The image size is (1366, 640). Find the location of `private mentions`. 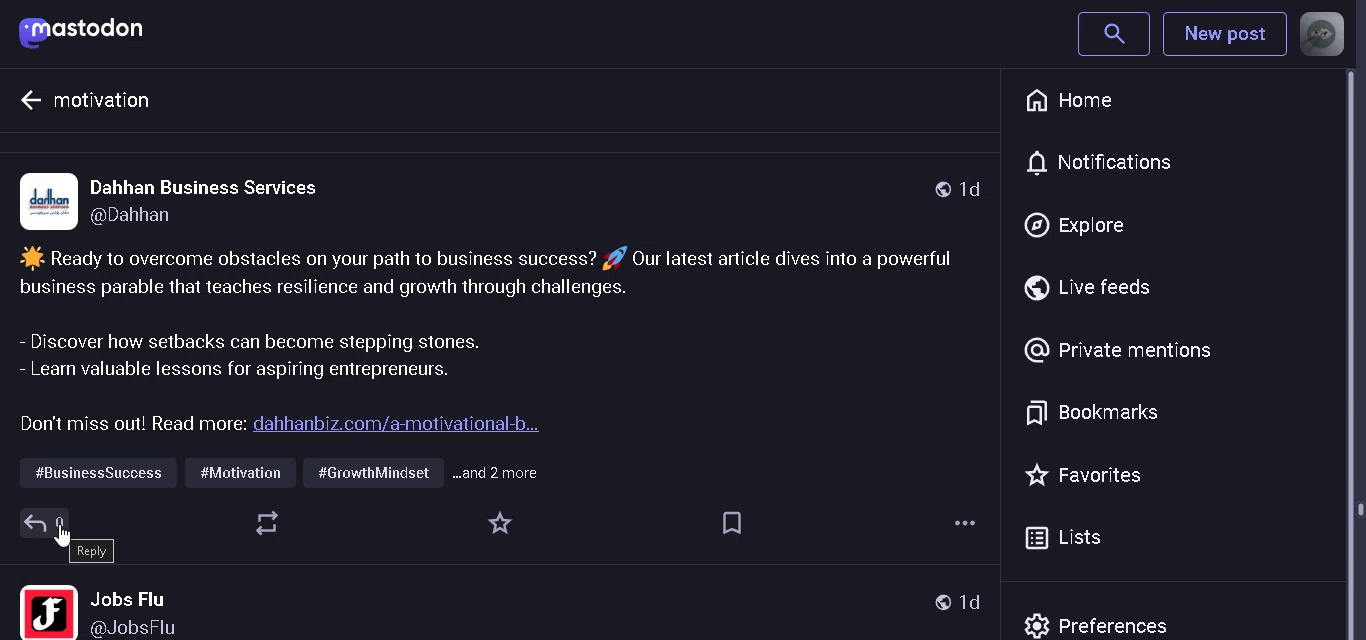

private mentions is located at coordinates (1117, 349).